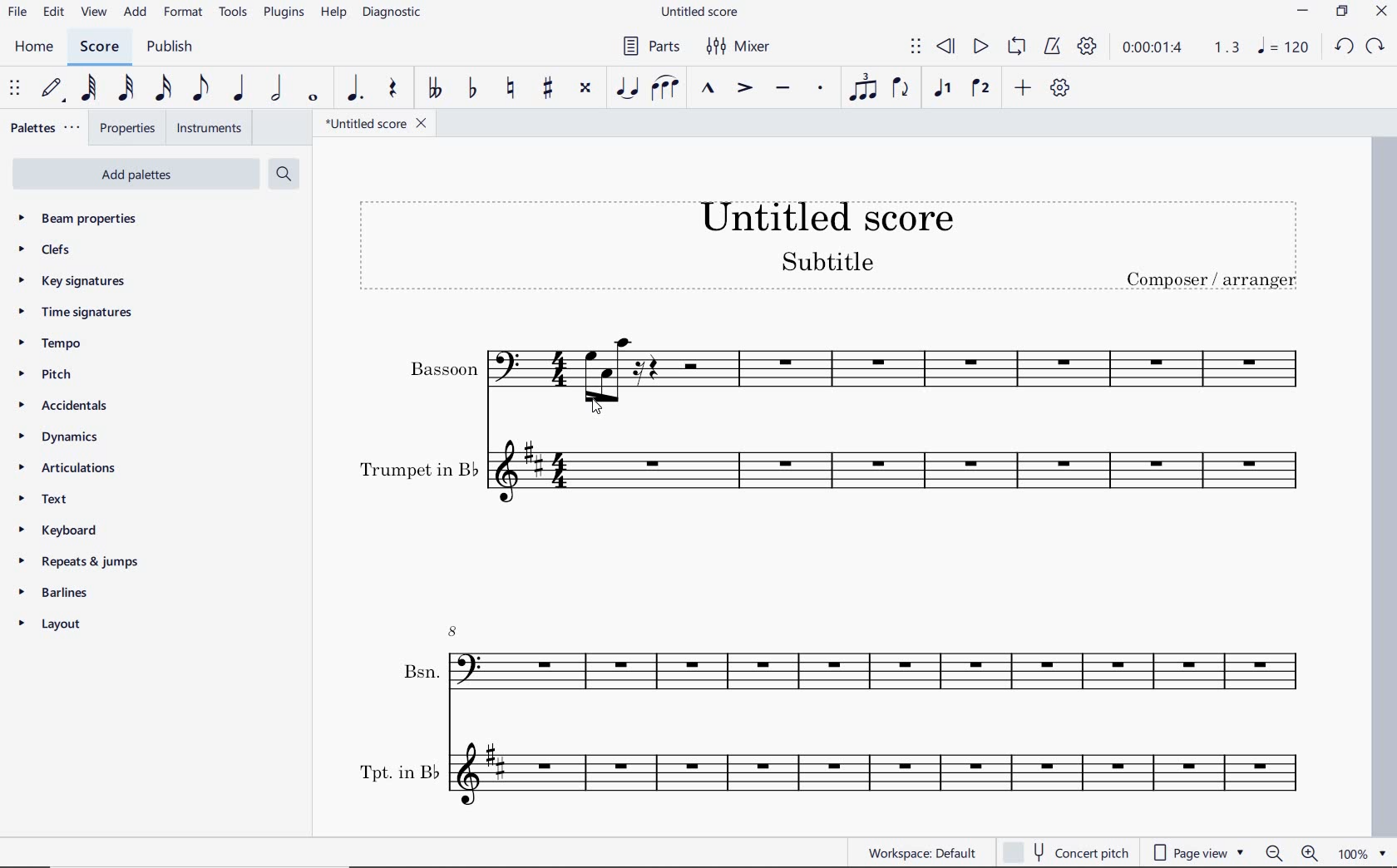 The image size is (1397, 868). Describe the element at coordinates (921, 855) in the screenshot. I see `workspace: default` at that location.